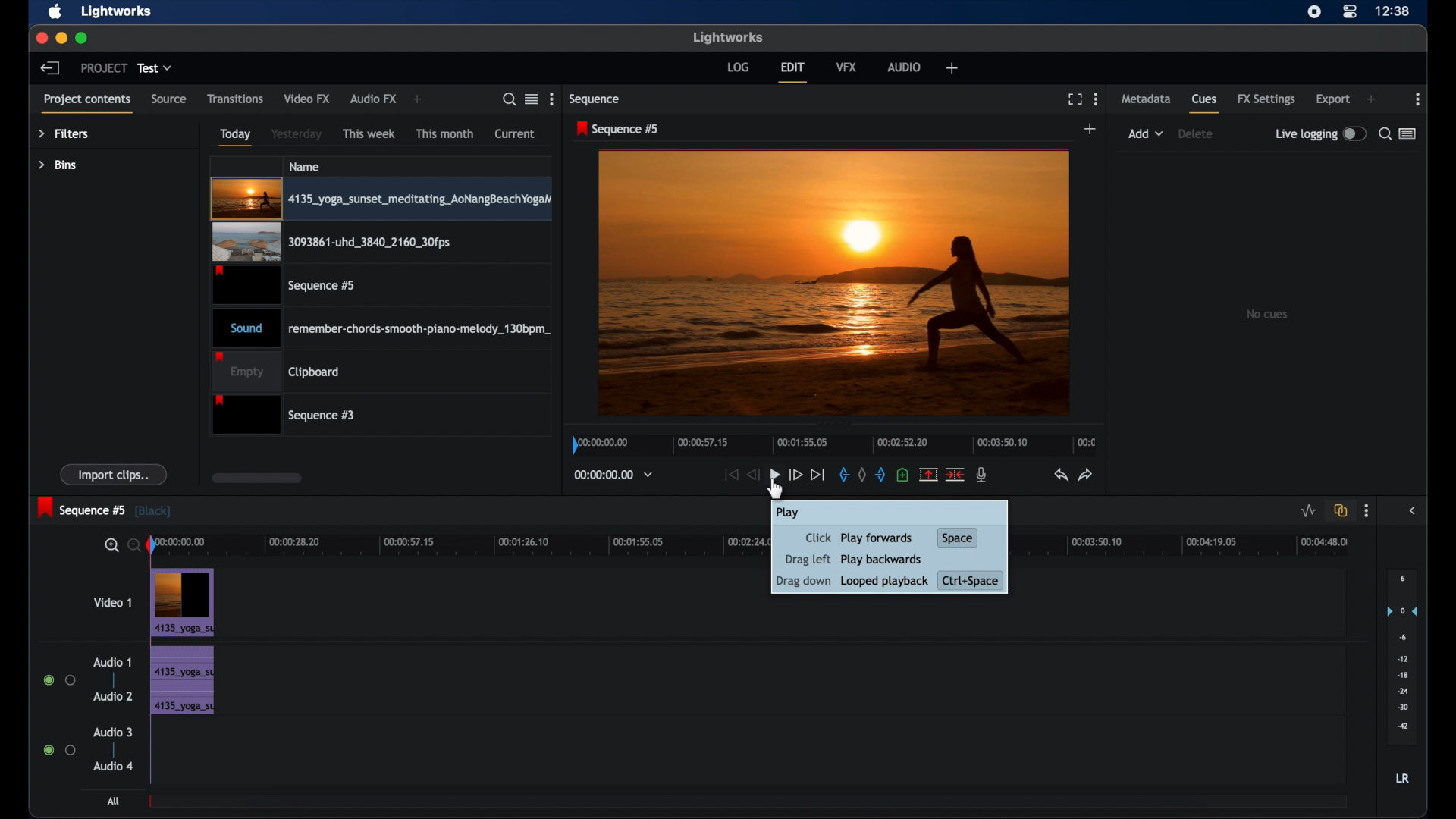 The image size is (1456, 819). Describe the element at coordinates (111, 663) in the screenshot. I see `audio 1` at that location.